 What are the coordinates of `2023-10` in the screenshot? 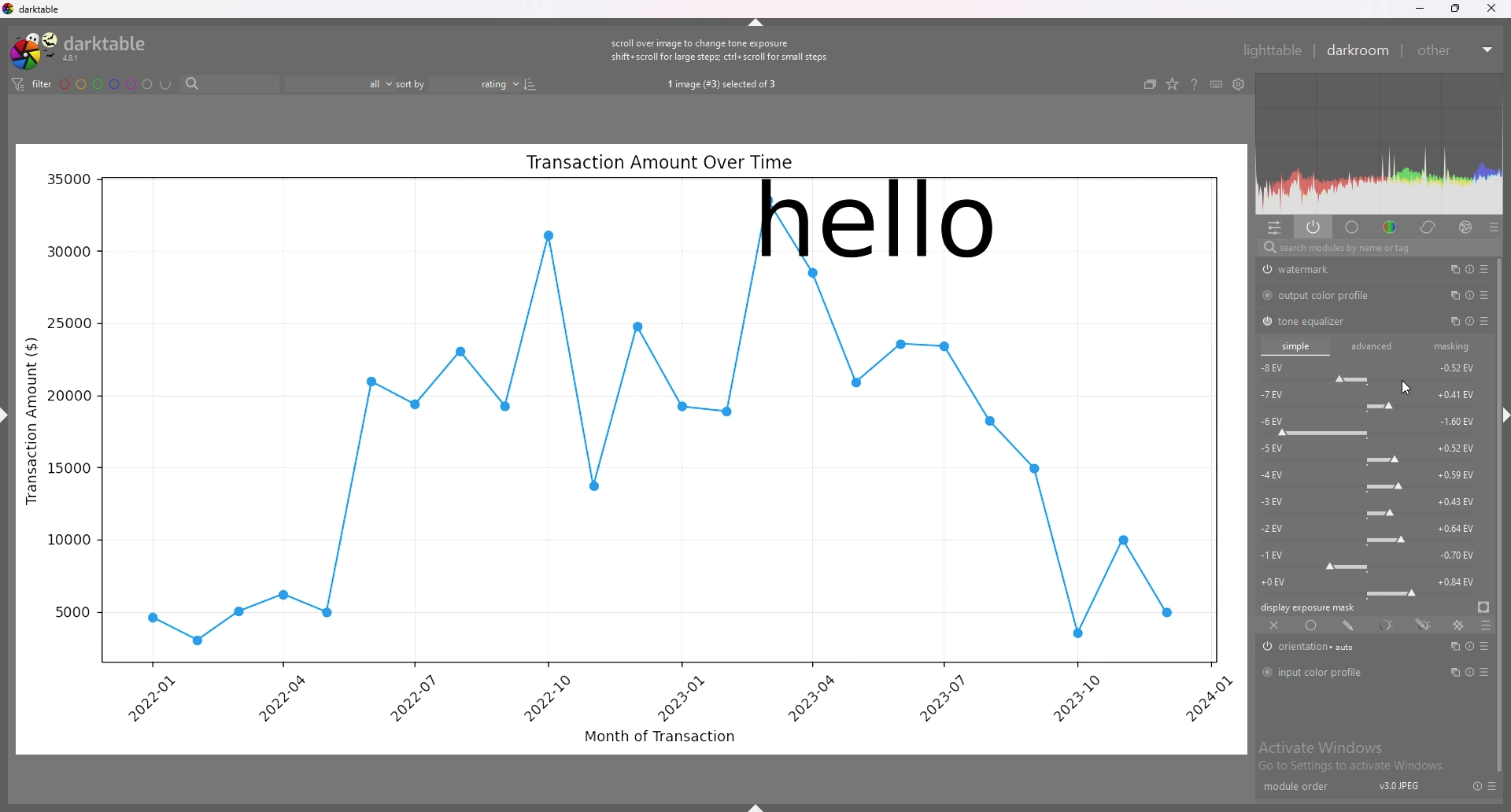 It's located at (1084, 699).